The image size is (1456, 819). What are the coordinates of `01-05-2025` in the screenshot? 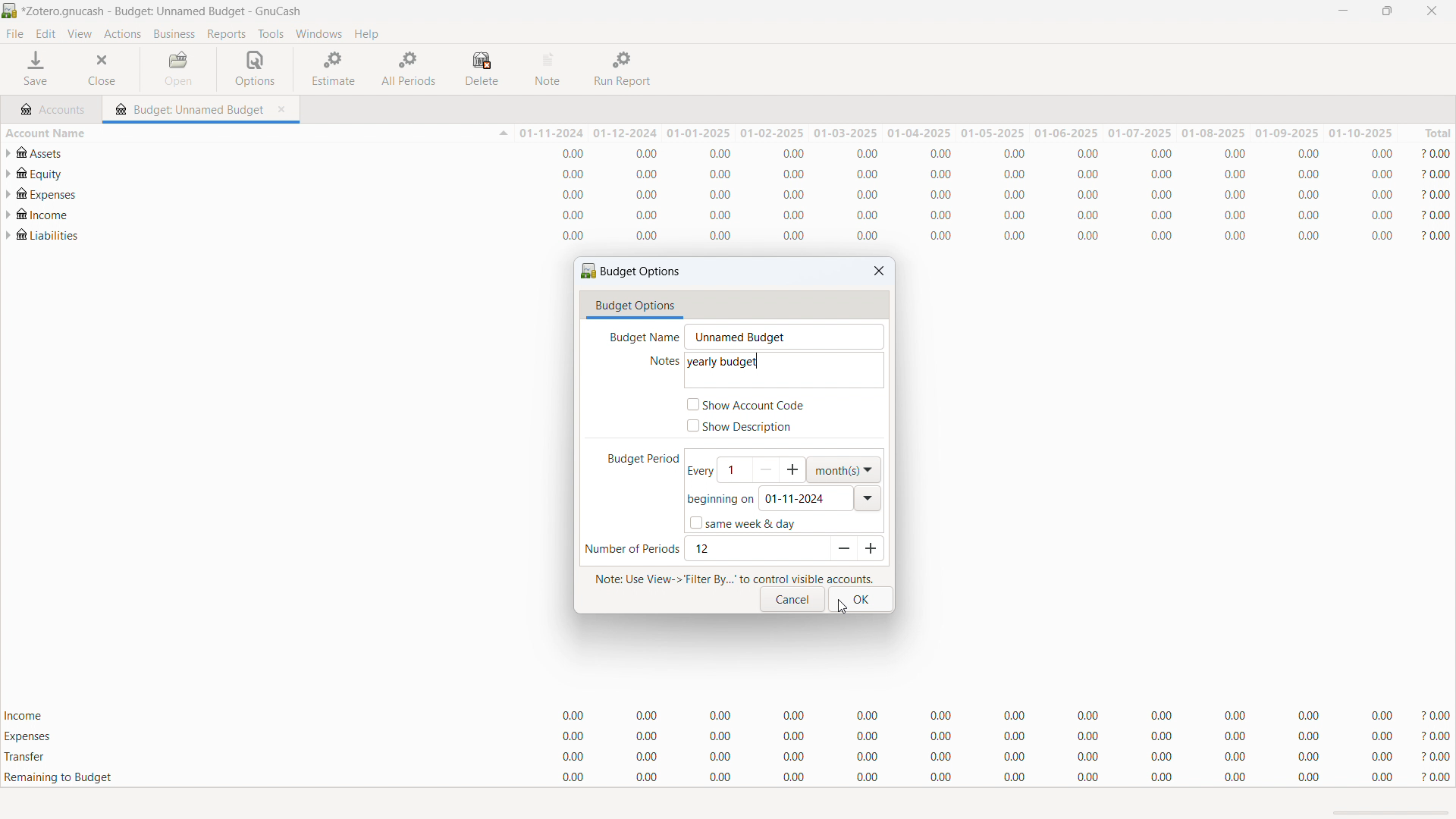 It's located at (991, 133).